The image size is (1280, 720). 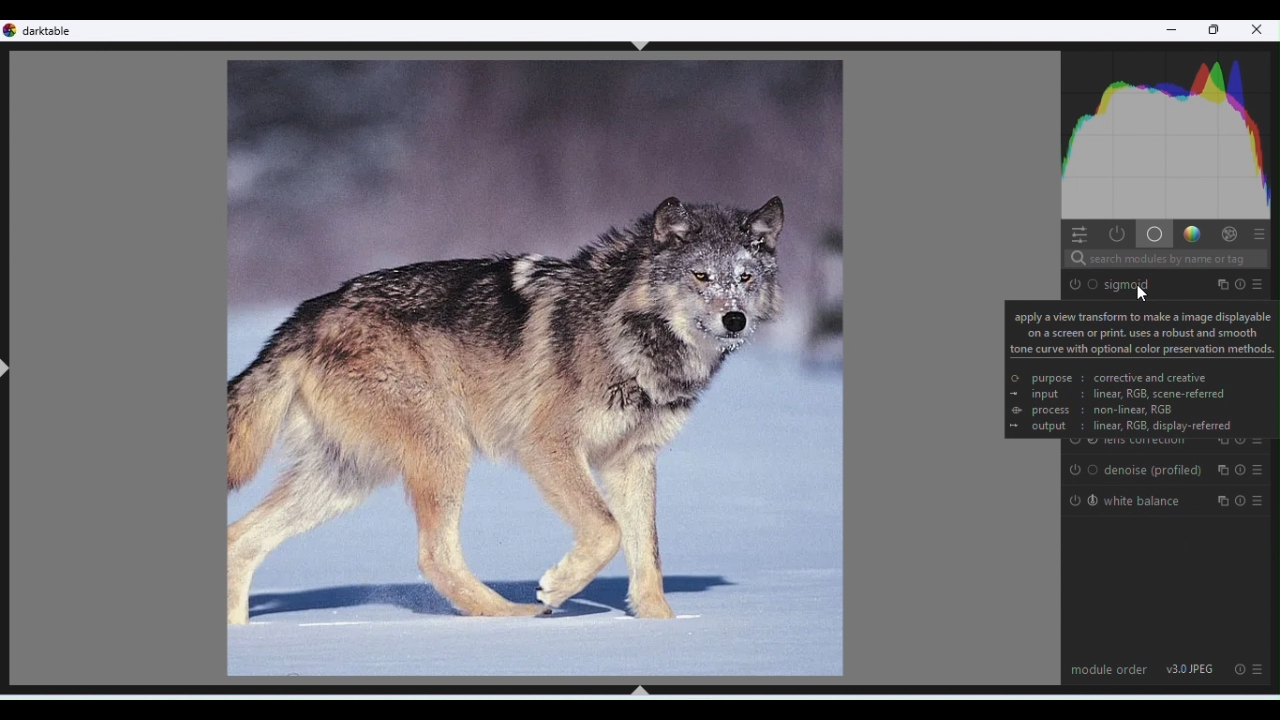 I want to click on Quick access, so click(x=1077, y=233).